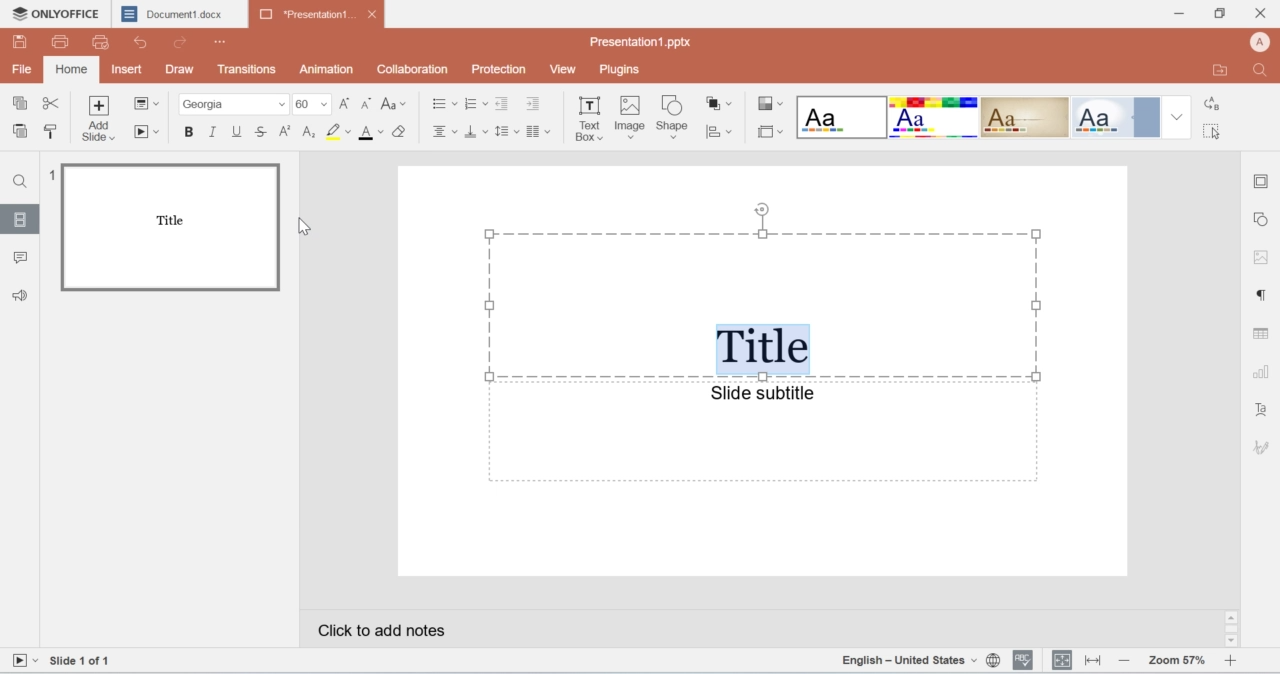 Image resolution: width=1280 pixels, height=674 pixels. I want to click on close, so click(1262, 11).